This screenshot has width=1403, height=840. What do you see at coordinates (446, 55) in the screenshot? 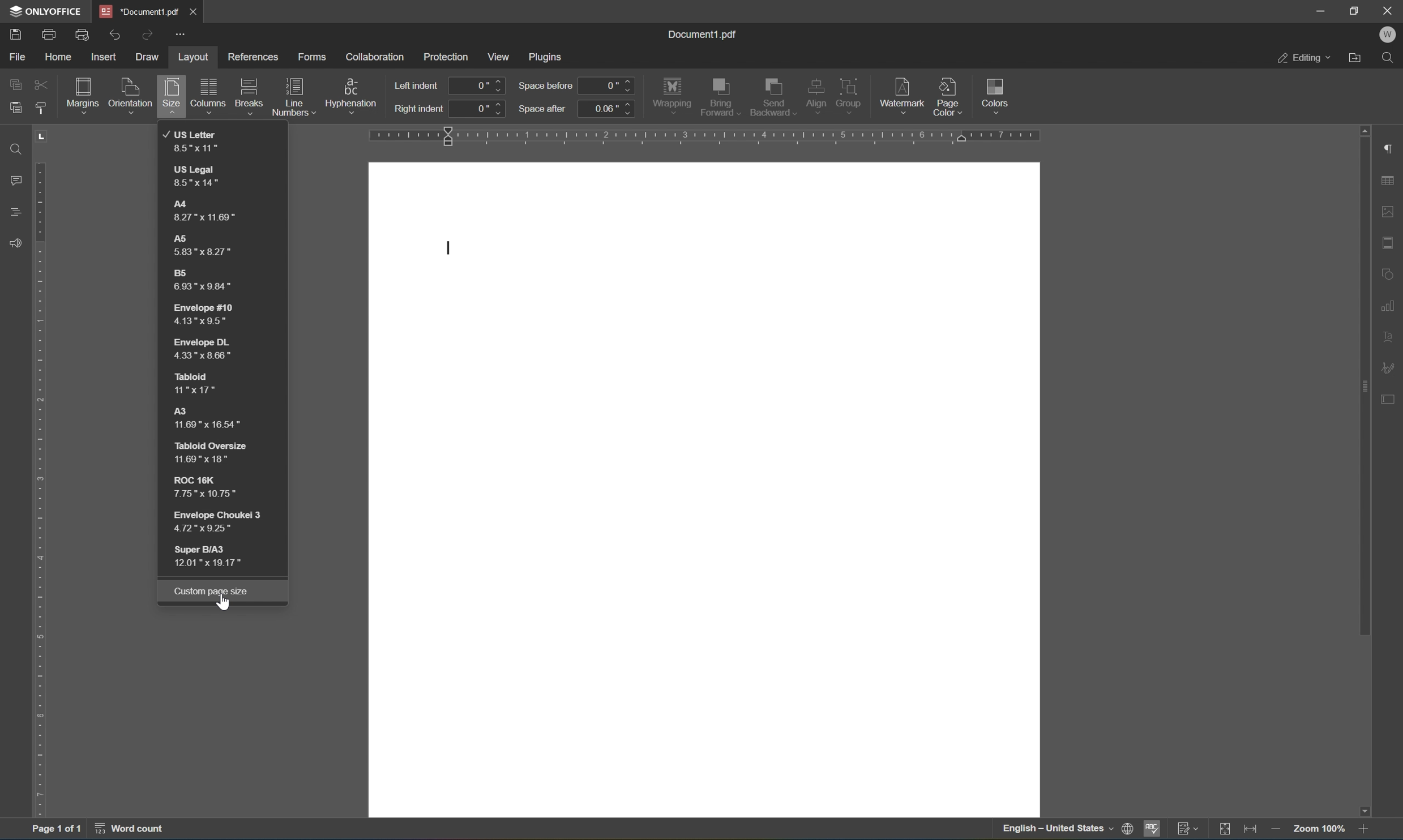
I see `protection` at bounding box center [446, 55].